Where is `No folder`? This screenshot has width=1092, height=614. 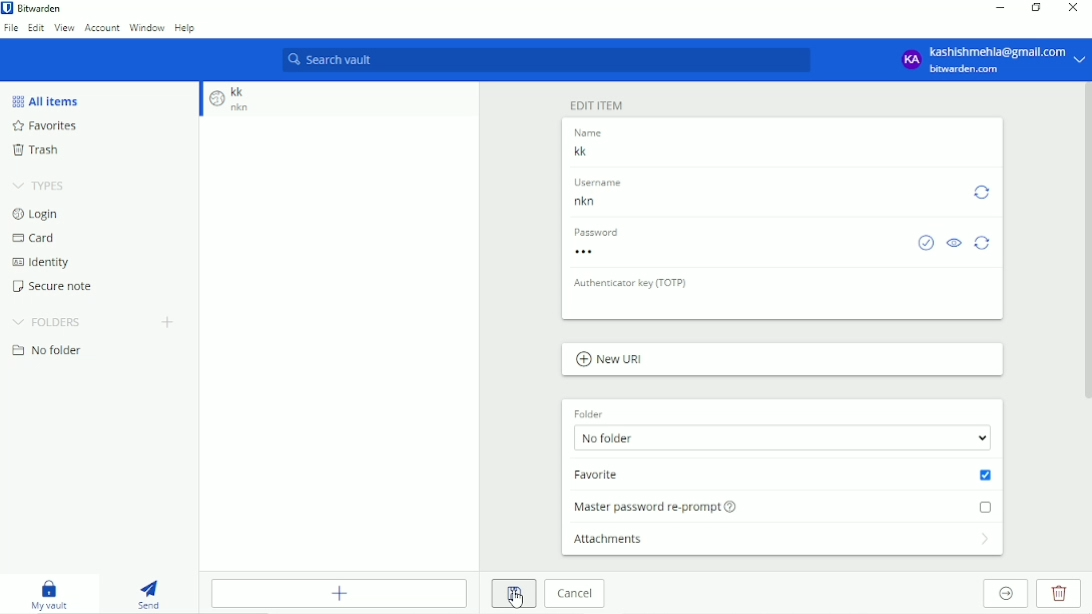 No folder is located at coordinates (783, 437).